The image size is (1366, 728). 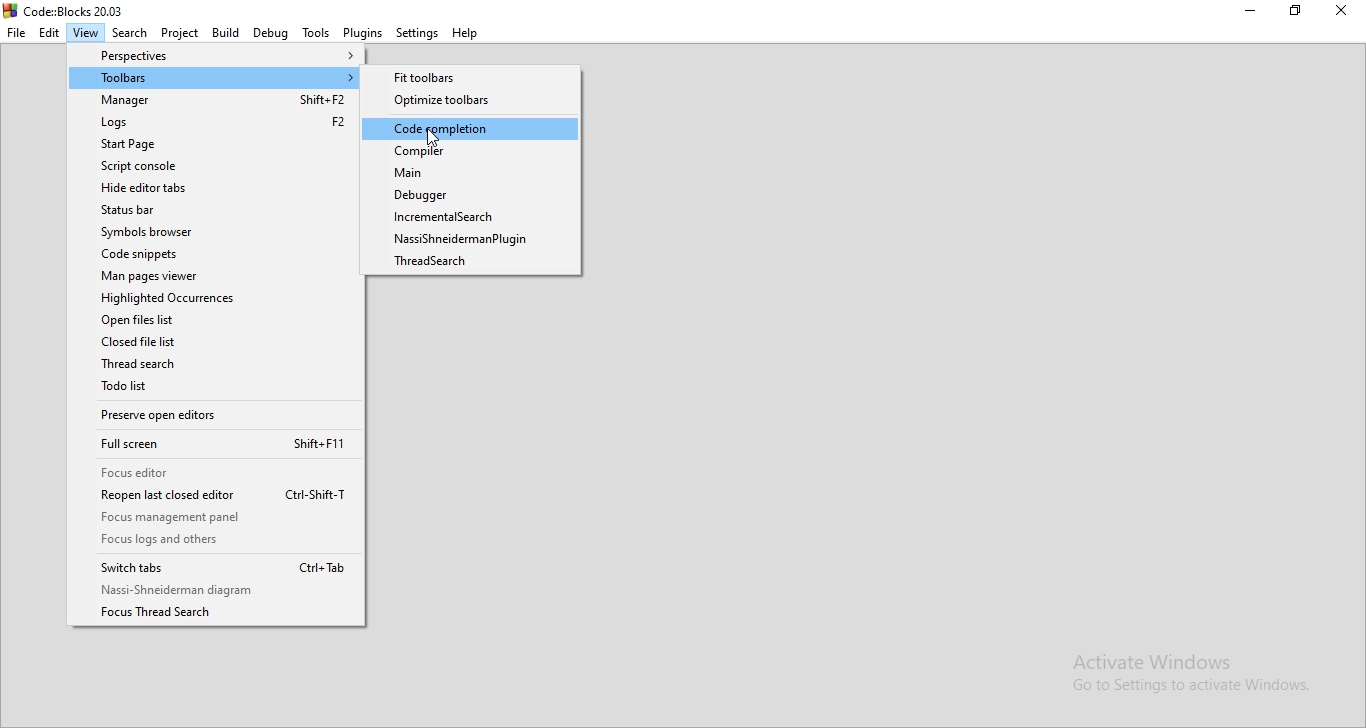 What do you see at coordinates (215, 445) in the screenshot?
I see `Full screen` at bounding box center [215, 445].